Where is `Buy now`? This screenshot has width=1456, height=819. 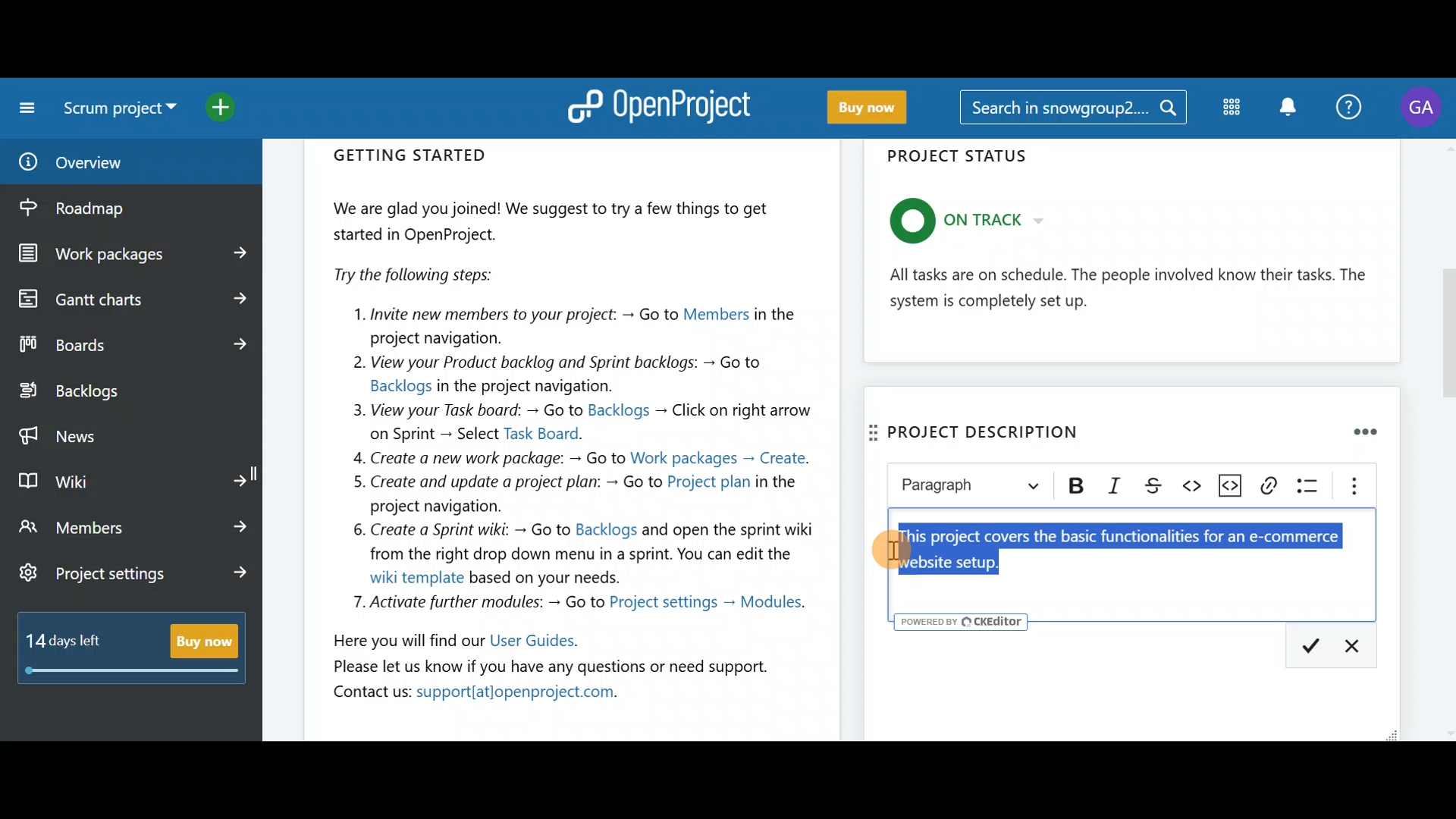
Buy now is located at coordinates (877, 108).